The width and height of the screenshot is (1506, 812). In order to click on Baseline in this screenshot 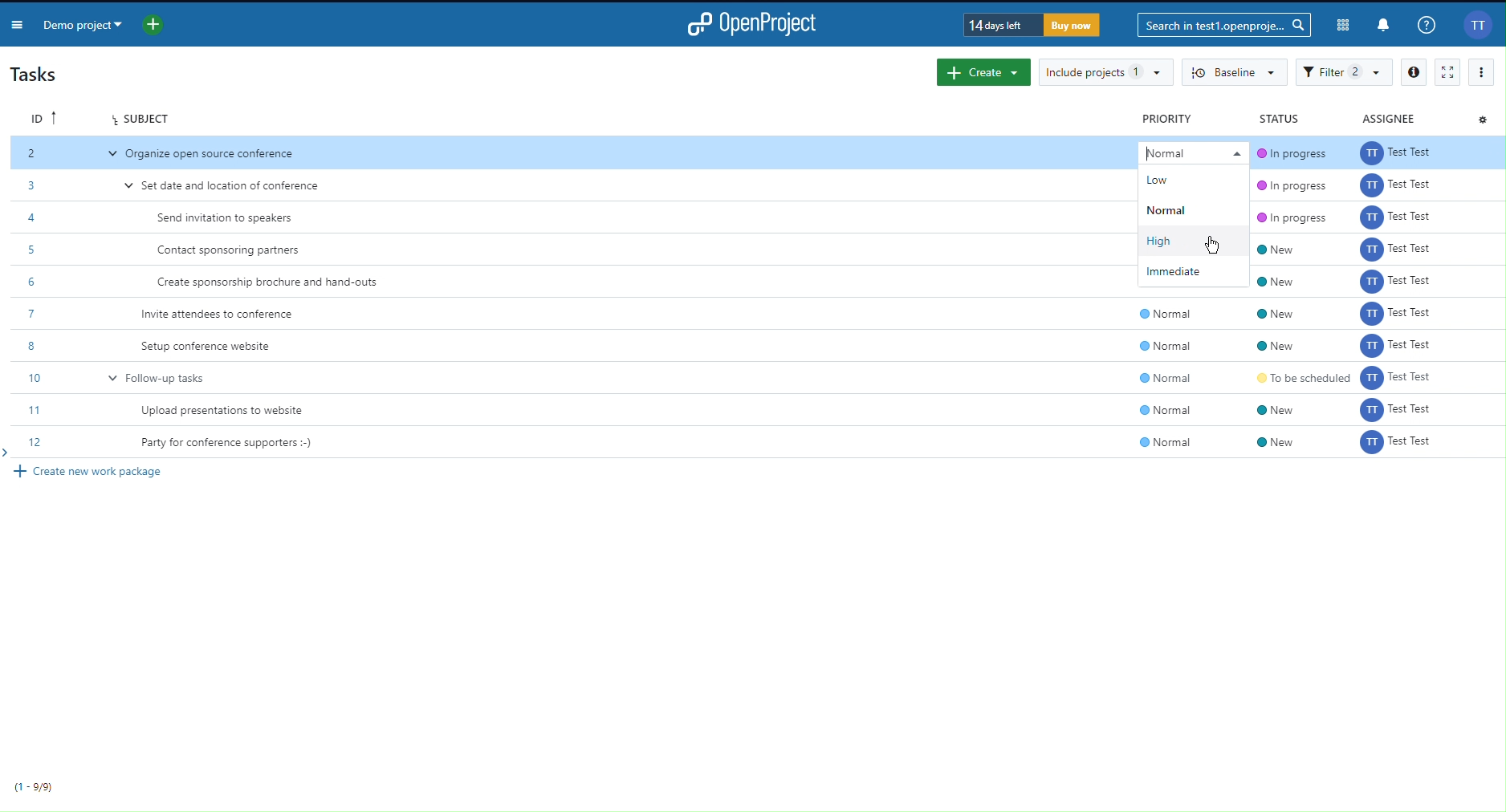, I will do `click(1235, 73)`.